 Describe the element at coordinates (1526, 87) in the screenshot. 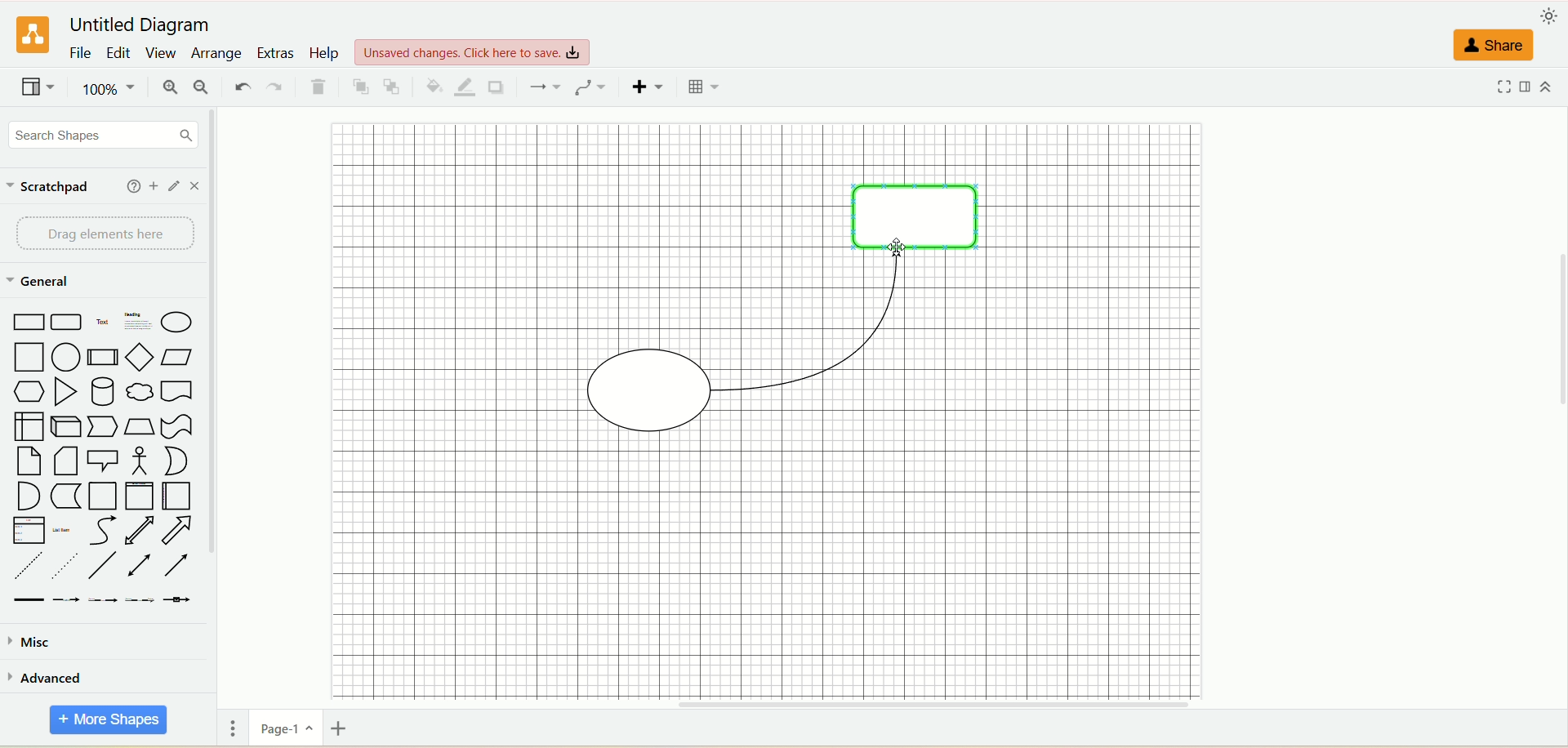

I see `format` at that location.